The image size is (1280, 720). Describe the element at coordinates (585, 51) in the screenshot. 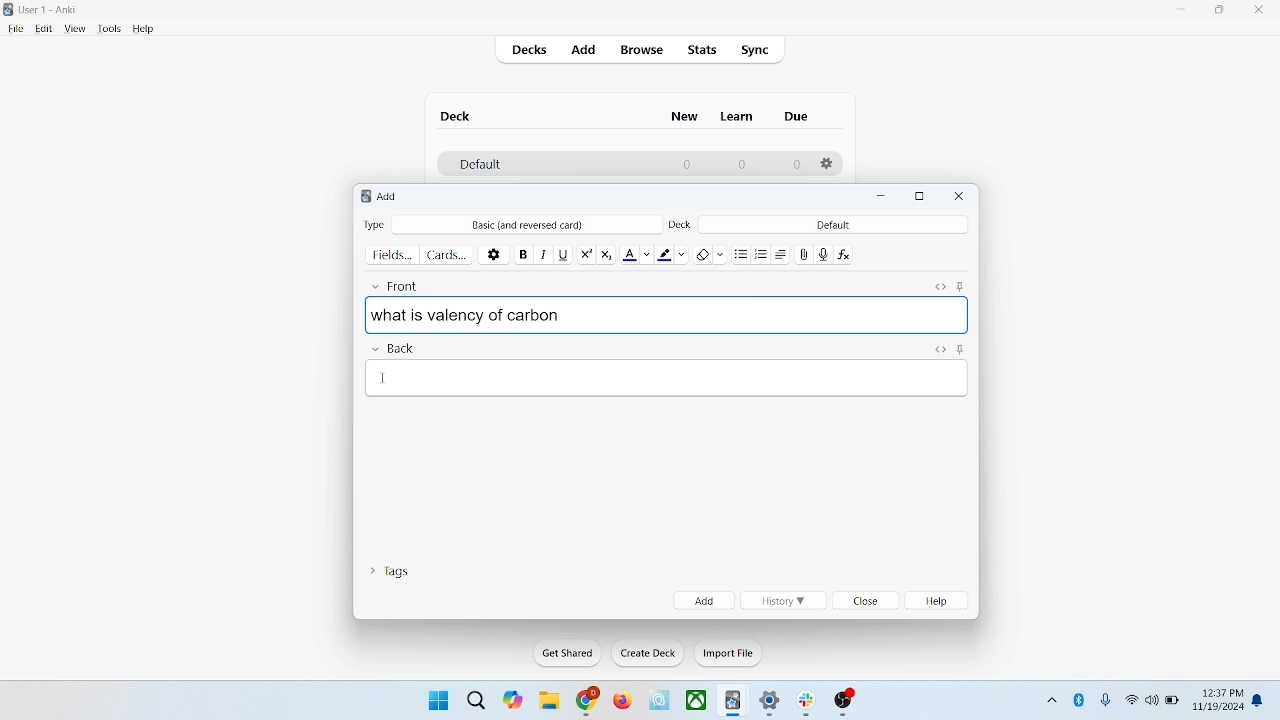

I see `add` at that location.